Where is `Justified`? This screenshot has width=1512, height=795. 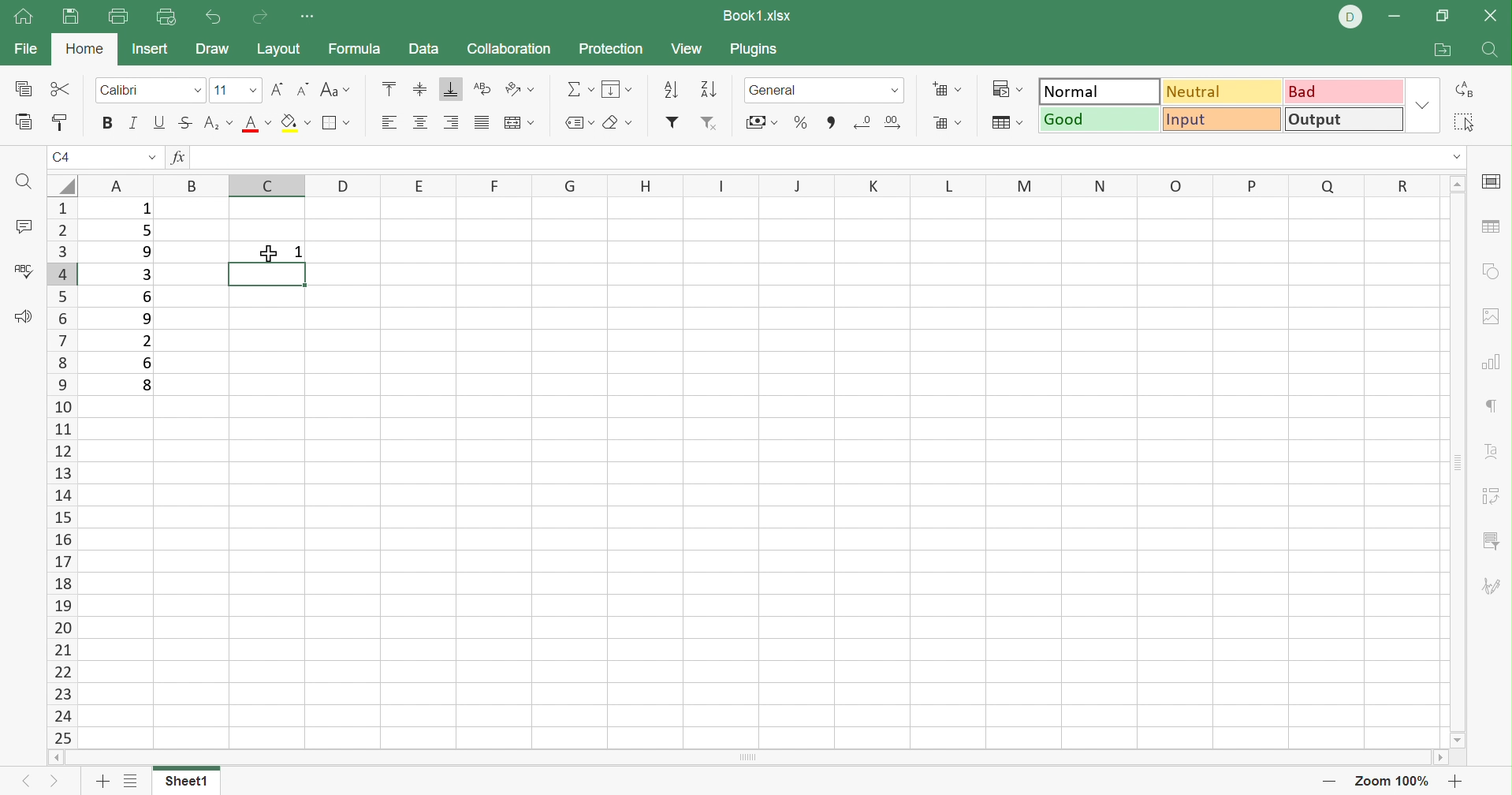 Justified is located at coordinates (483, 123).